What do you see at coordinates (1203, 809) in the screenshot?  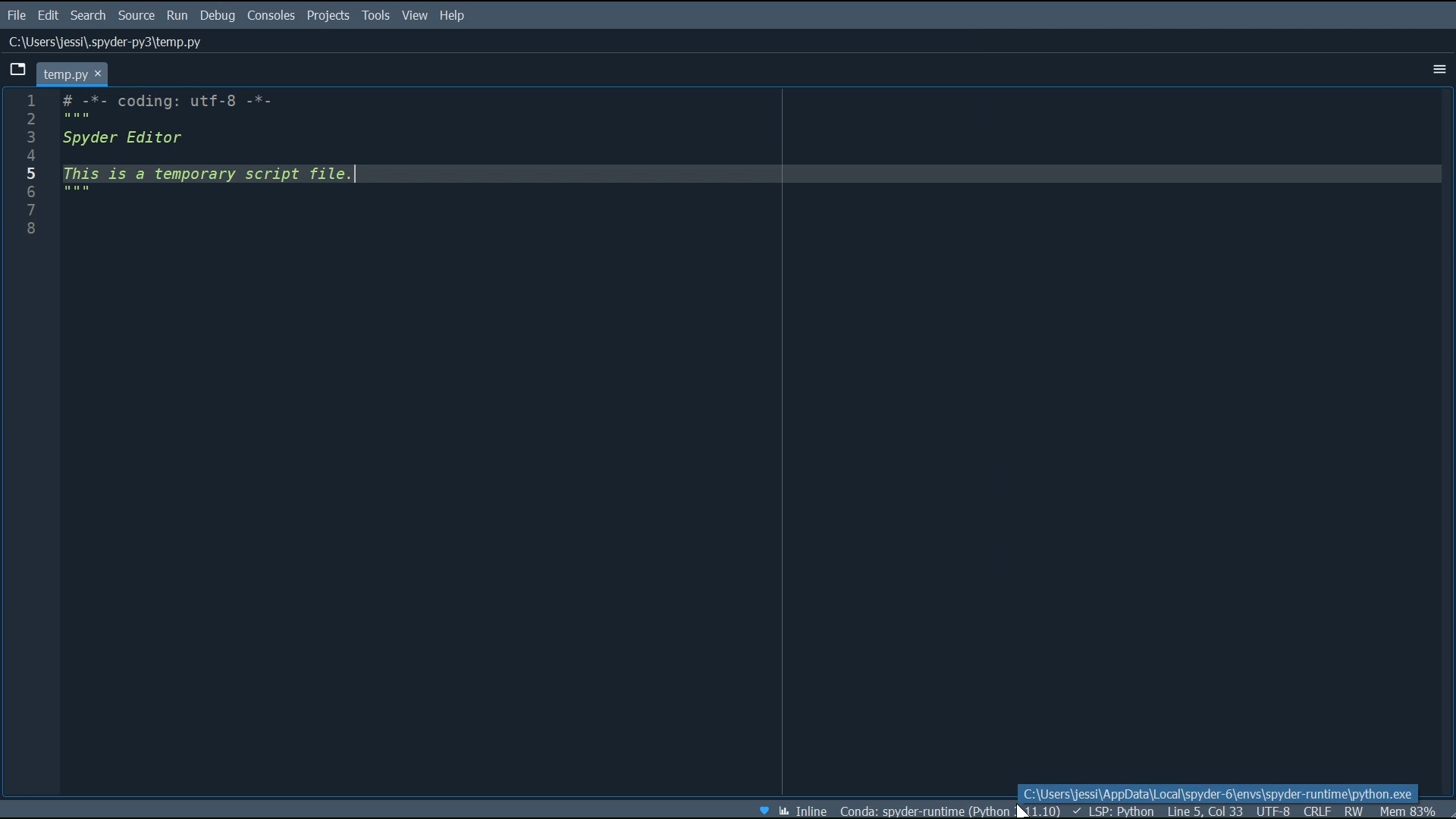 I see `Cursor Position` at bounding box center [1203, 809].